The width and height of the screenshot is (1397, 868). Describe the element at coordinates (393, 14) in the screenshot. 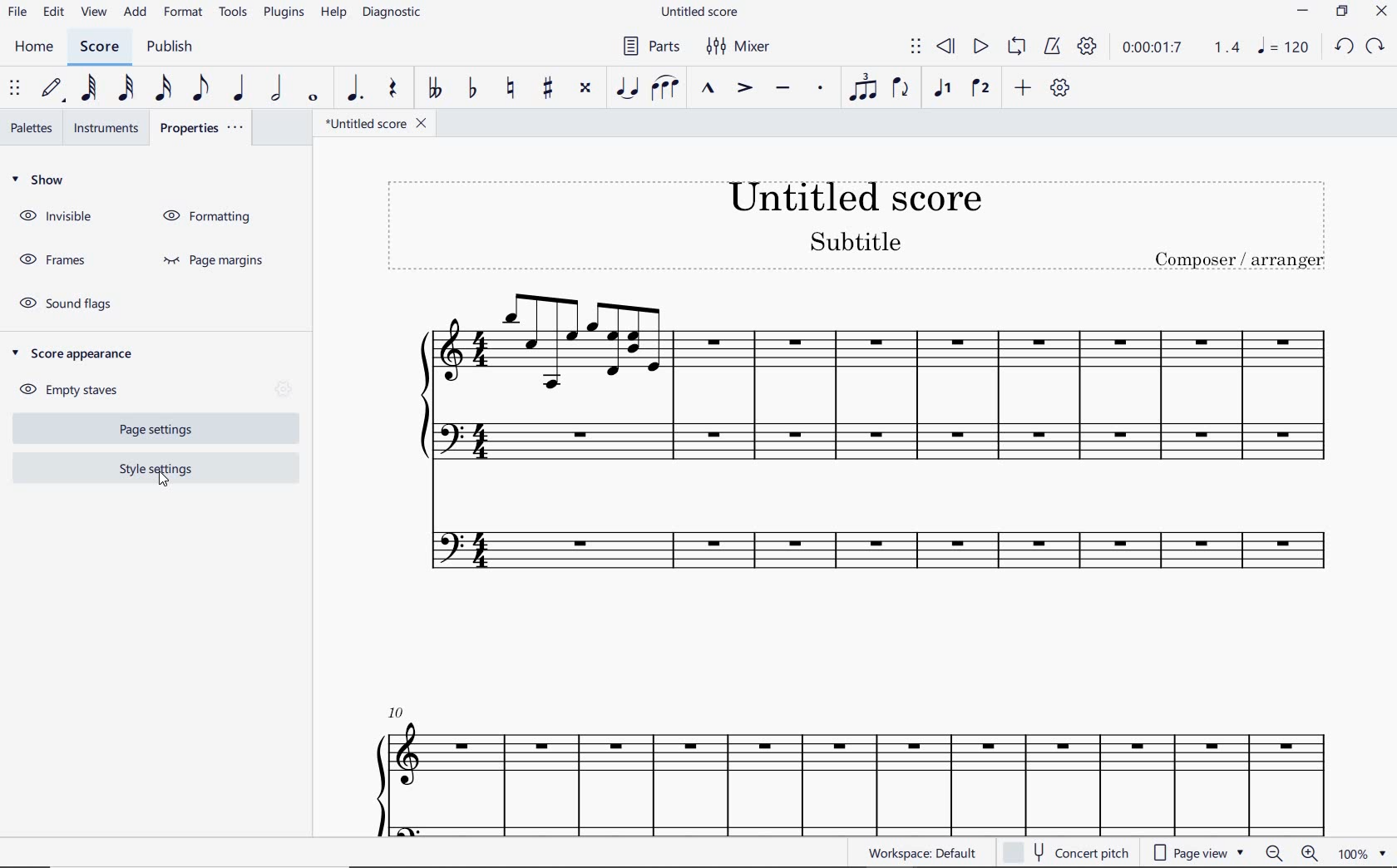

I see `DIAGNOSTIC` at that location.